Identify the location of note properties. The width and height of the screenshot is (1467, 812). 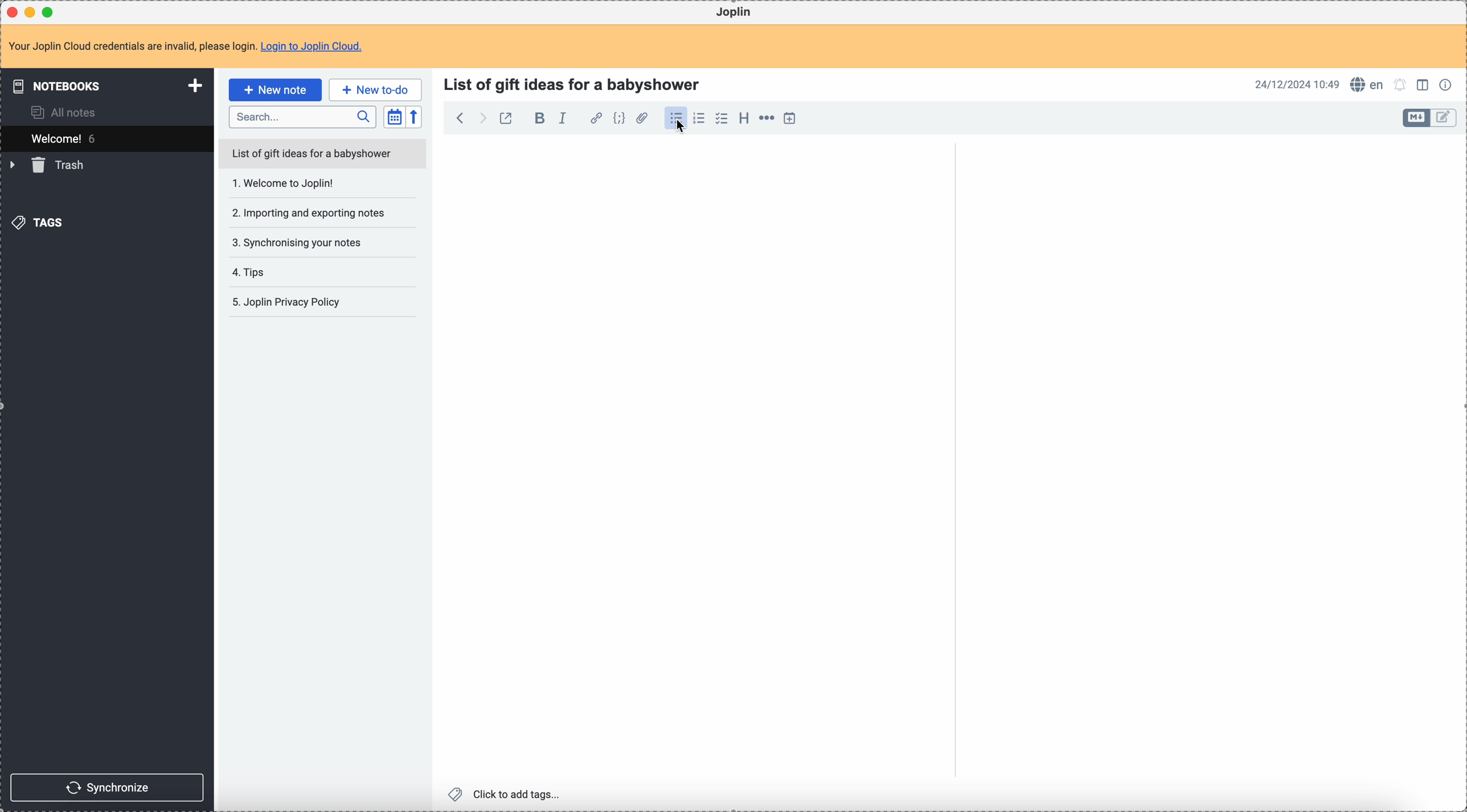
(1448, 84).